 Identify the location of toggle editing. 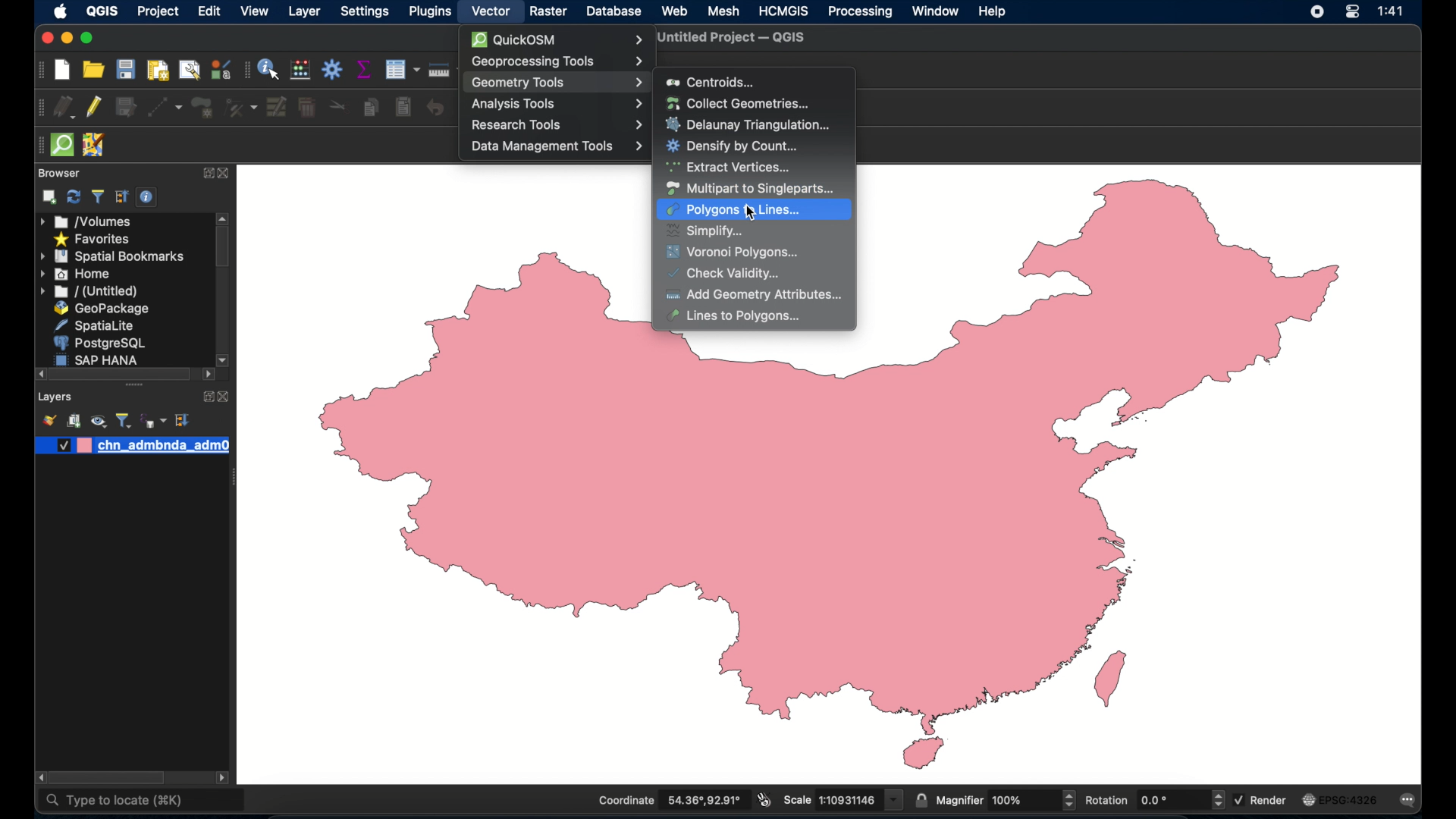
(93, 108).